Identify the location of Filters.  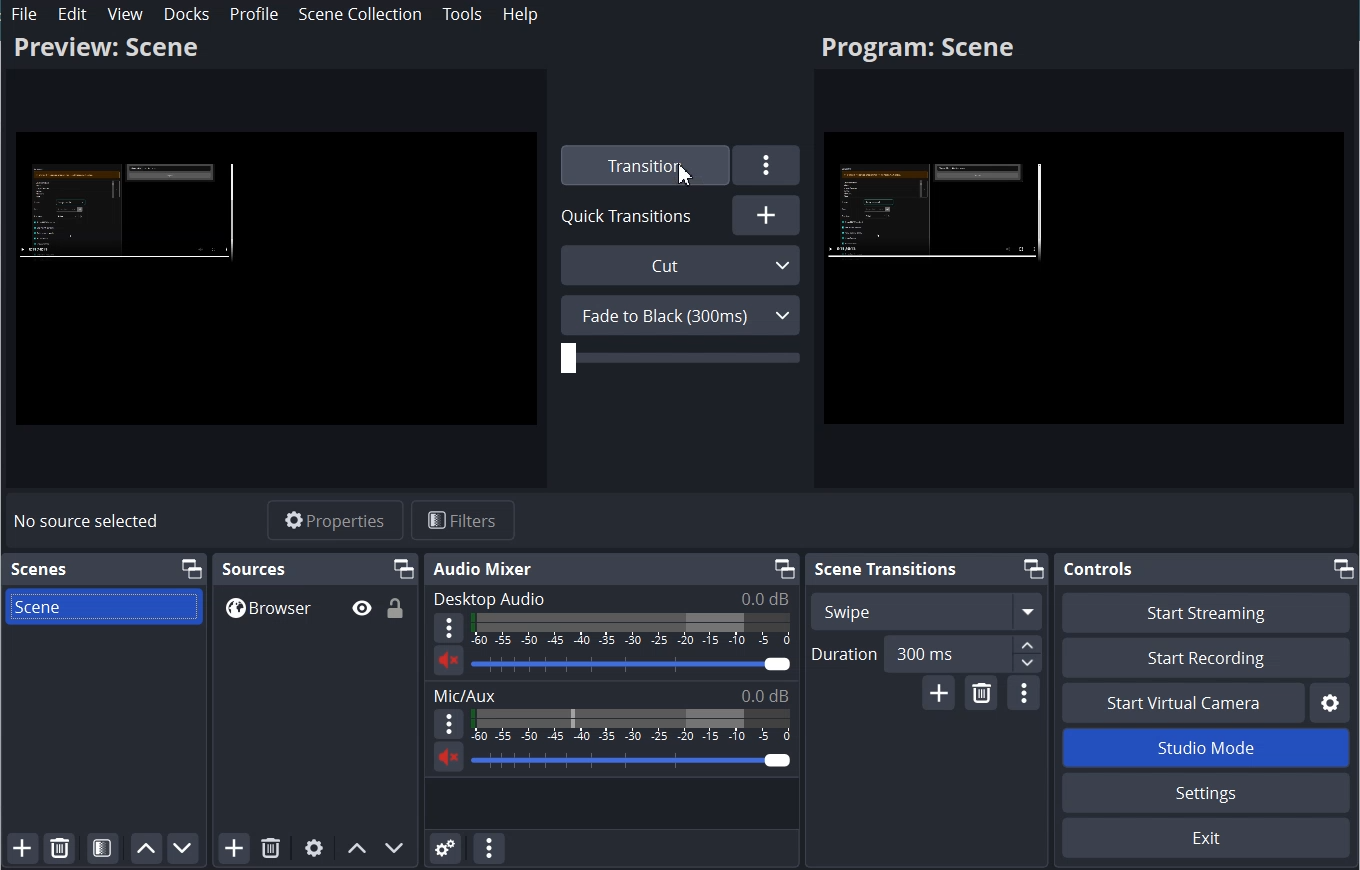
(463, 519).